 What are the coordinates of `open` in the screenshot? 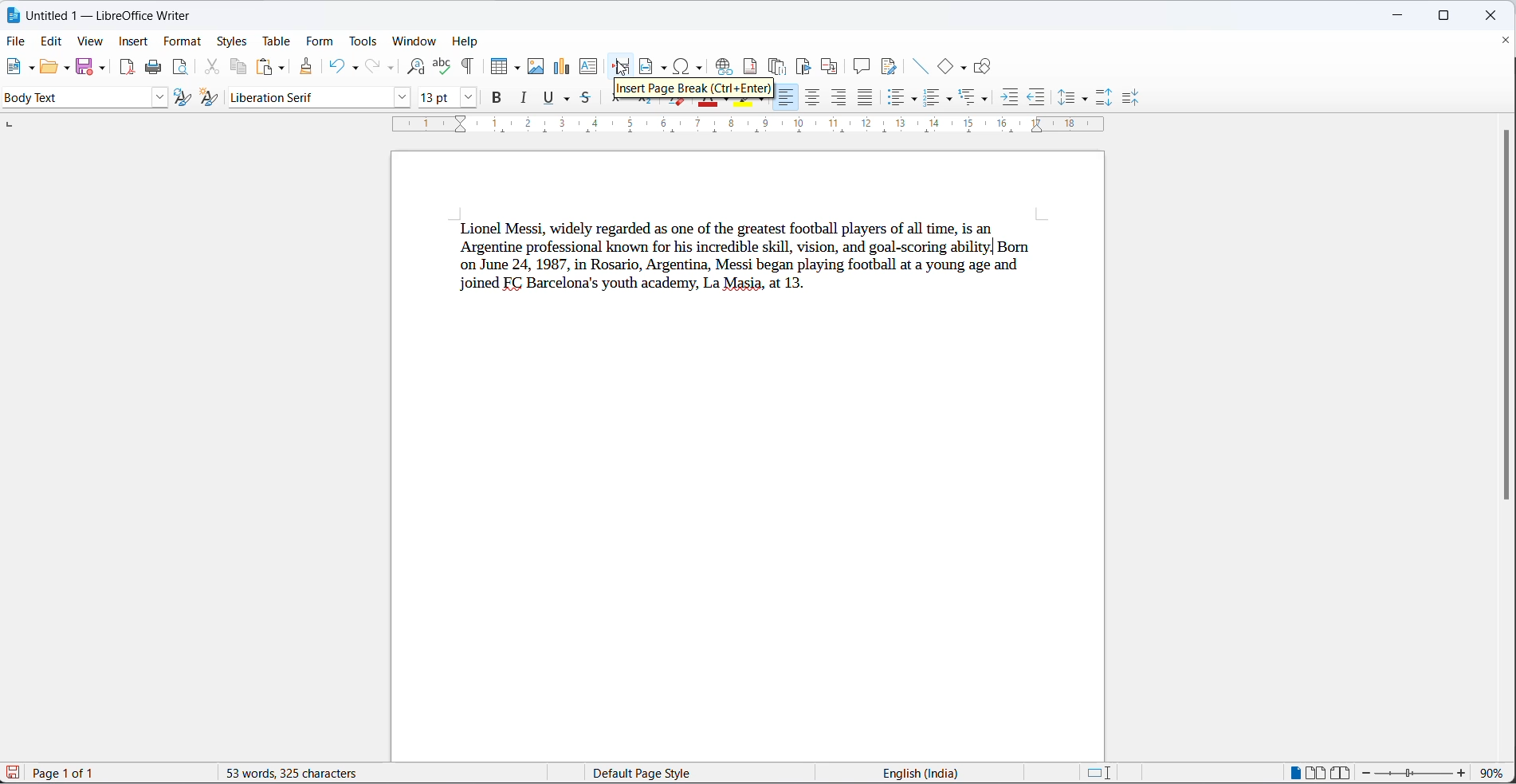 It's located at (46, 69).